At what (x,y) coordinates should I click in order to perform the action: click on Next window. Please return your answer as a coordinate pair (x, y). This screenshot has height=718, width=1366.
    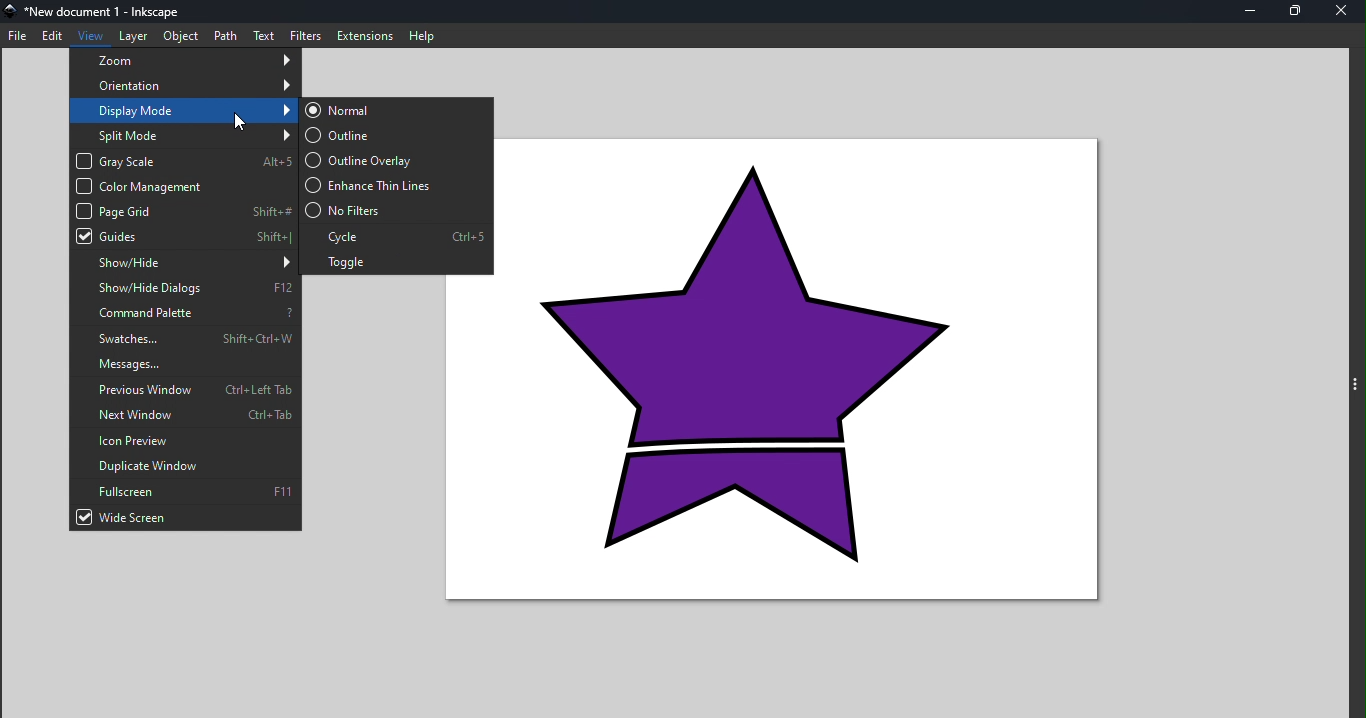
    Looking at the image, I should click on (184, 414).